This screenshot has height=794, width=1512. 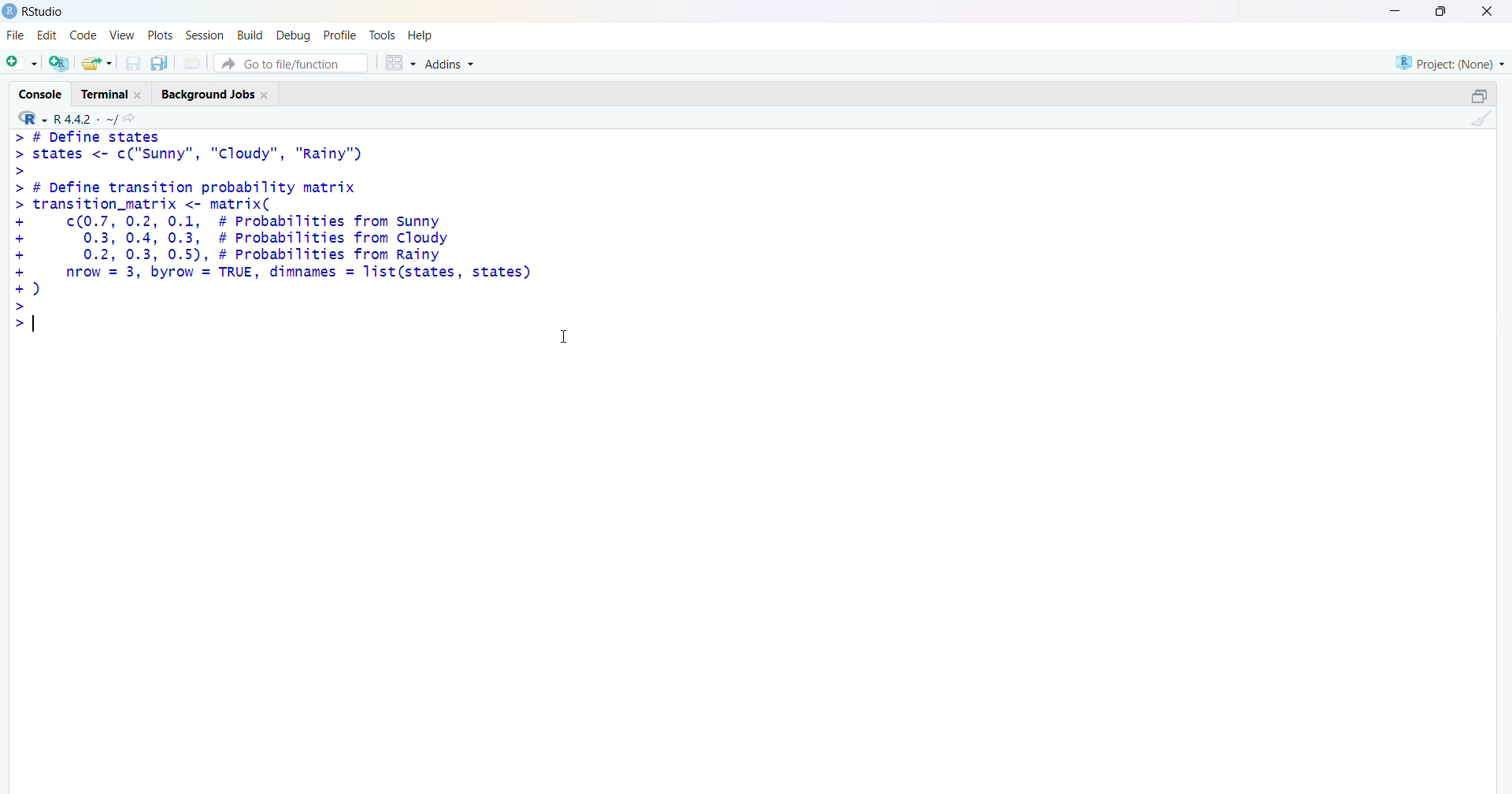 What do you see at coordinates (1392, 11) in the screenshot?
I see `minimize` at bounding box center [1392, 11].